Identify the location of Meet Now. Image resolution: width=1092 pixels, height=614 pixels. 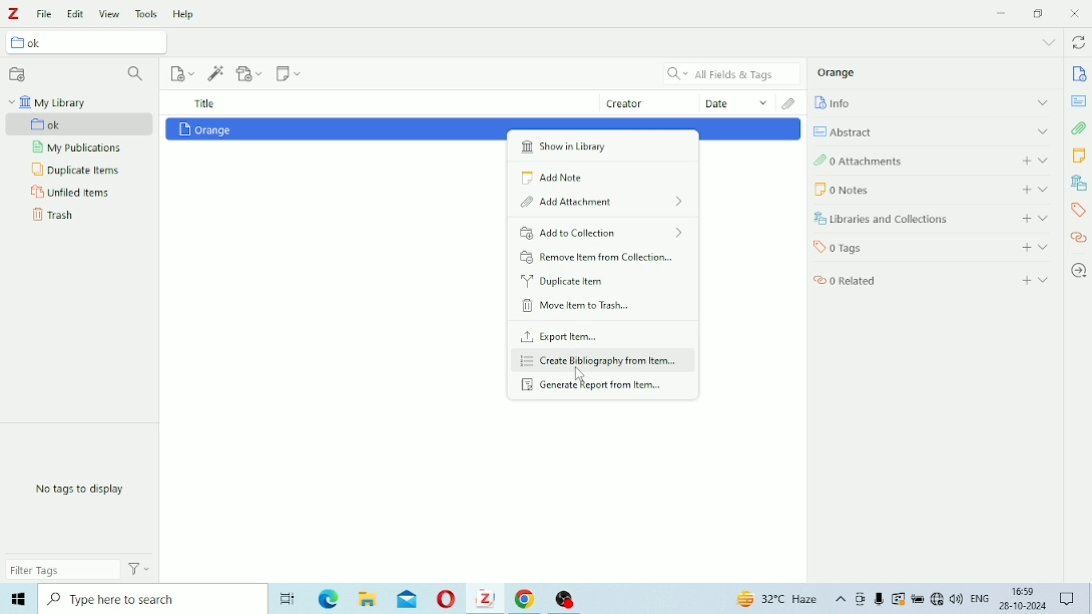
(861, 599).